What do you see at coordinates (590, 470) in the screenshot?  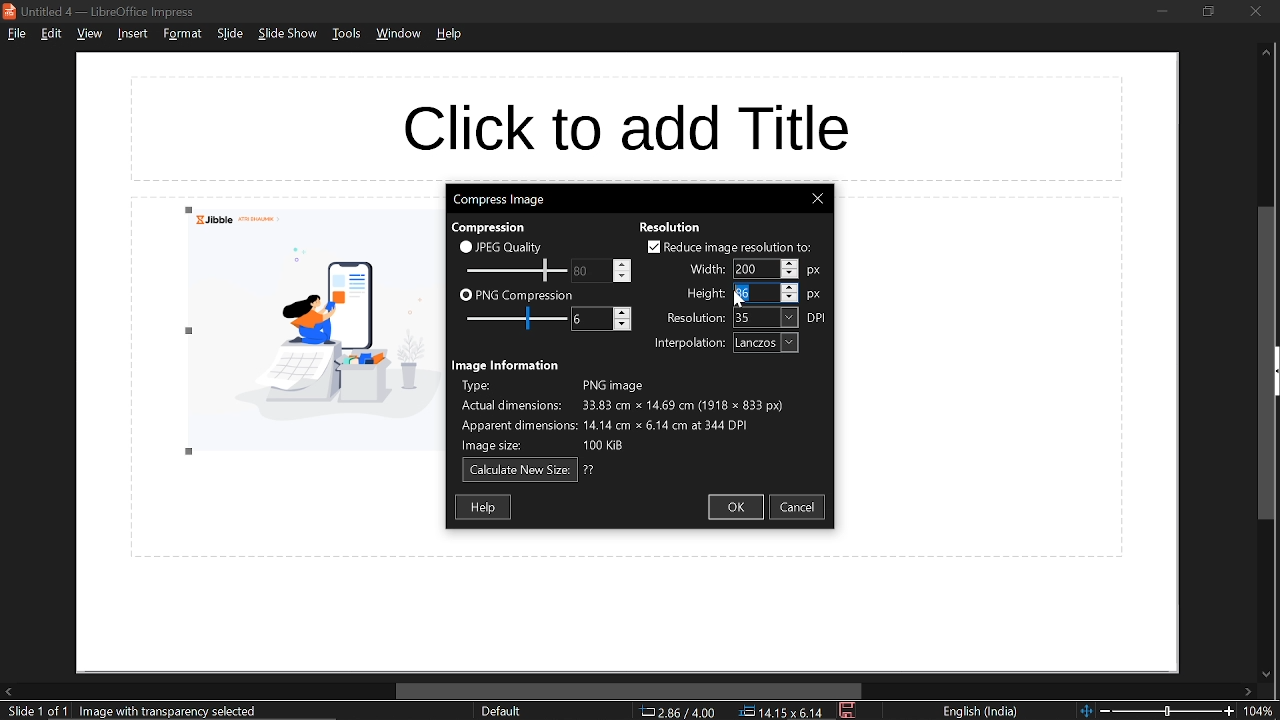 I see `question mark` at bounding box center [590, 470].